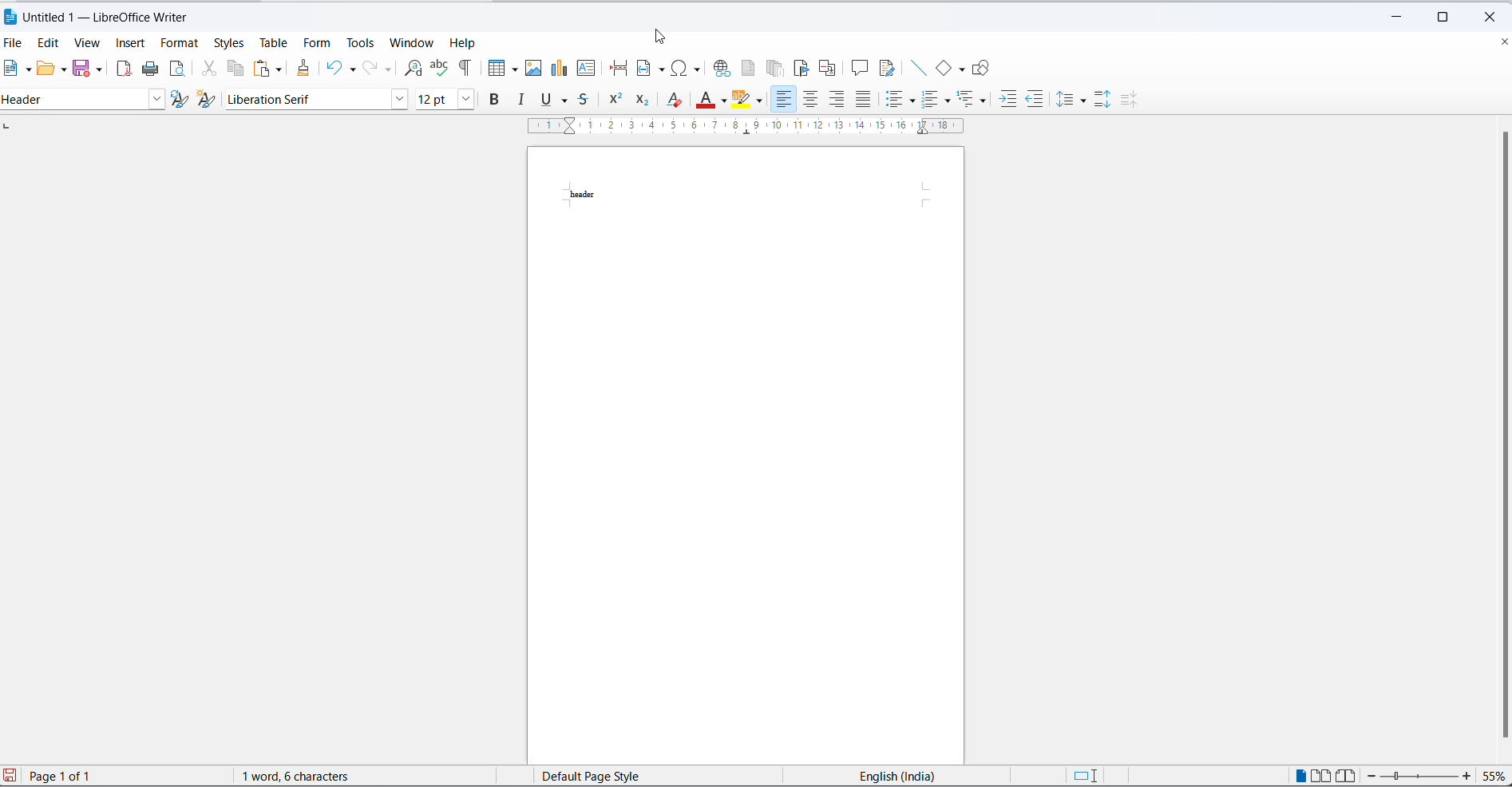  Describe the element at coordinates (1088, 777) in the screenshot. I see `standard selection` at that location.